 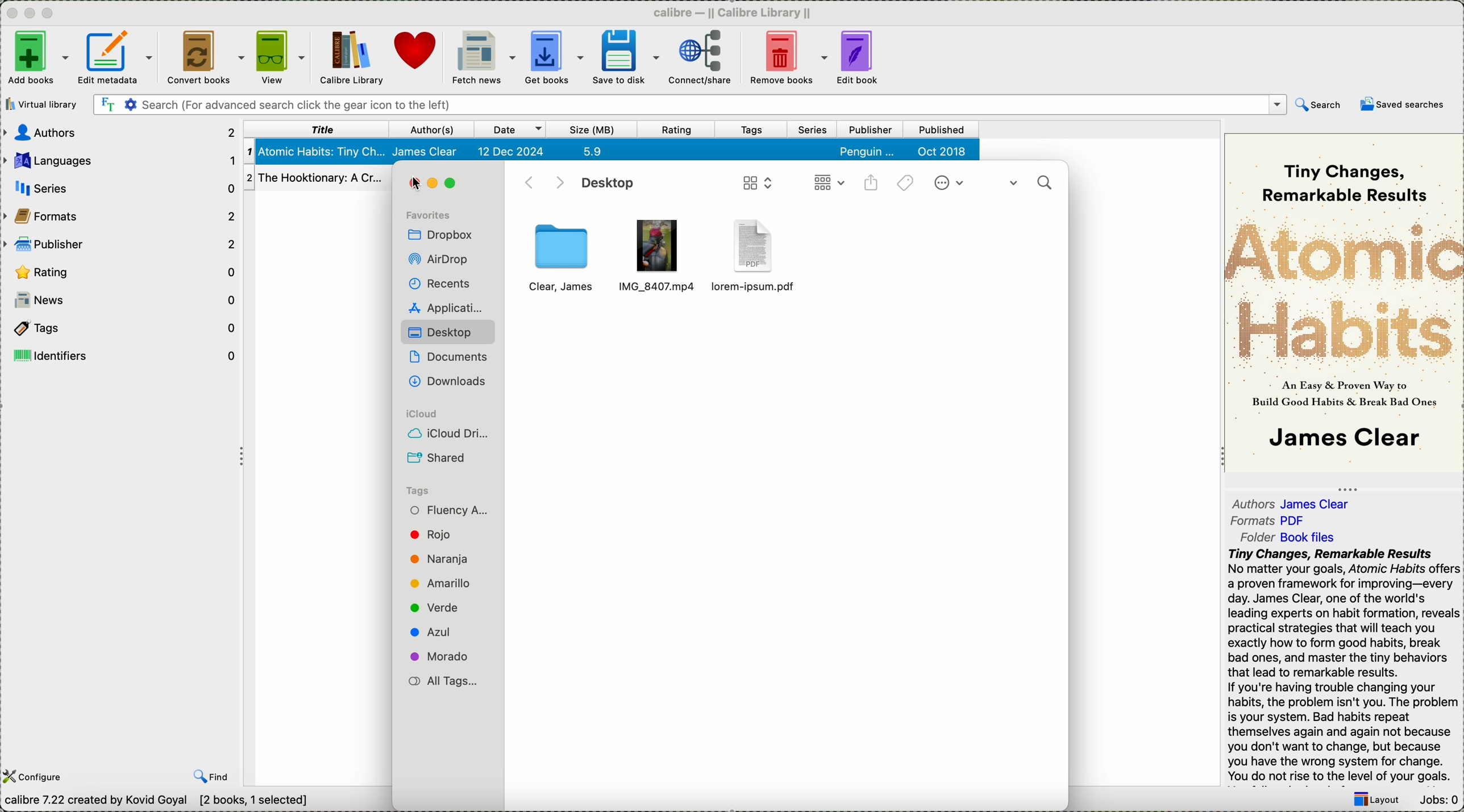 I want to click on date, so click(x=510, y=130).